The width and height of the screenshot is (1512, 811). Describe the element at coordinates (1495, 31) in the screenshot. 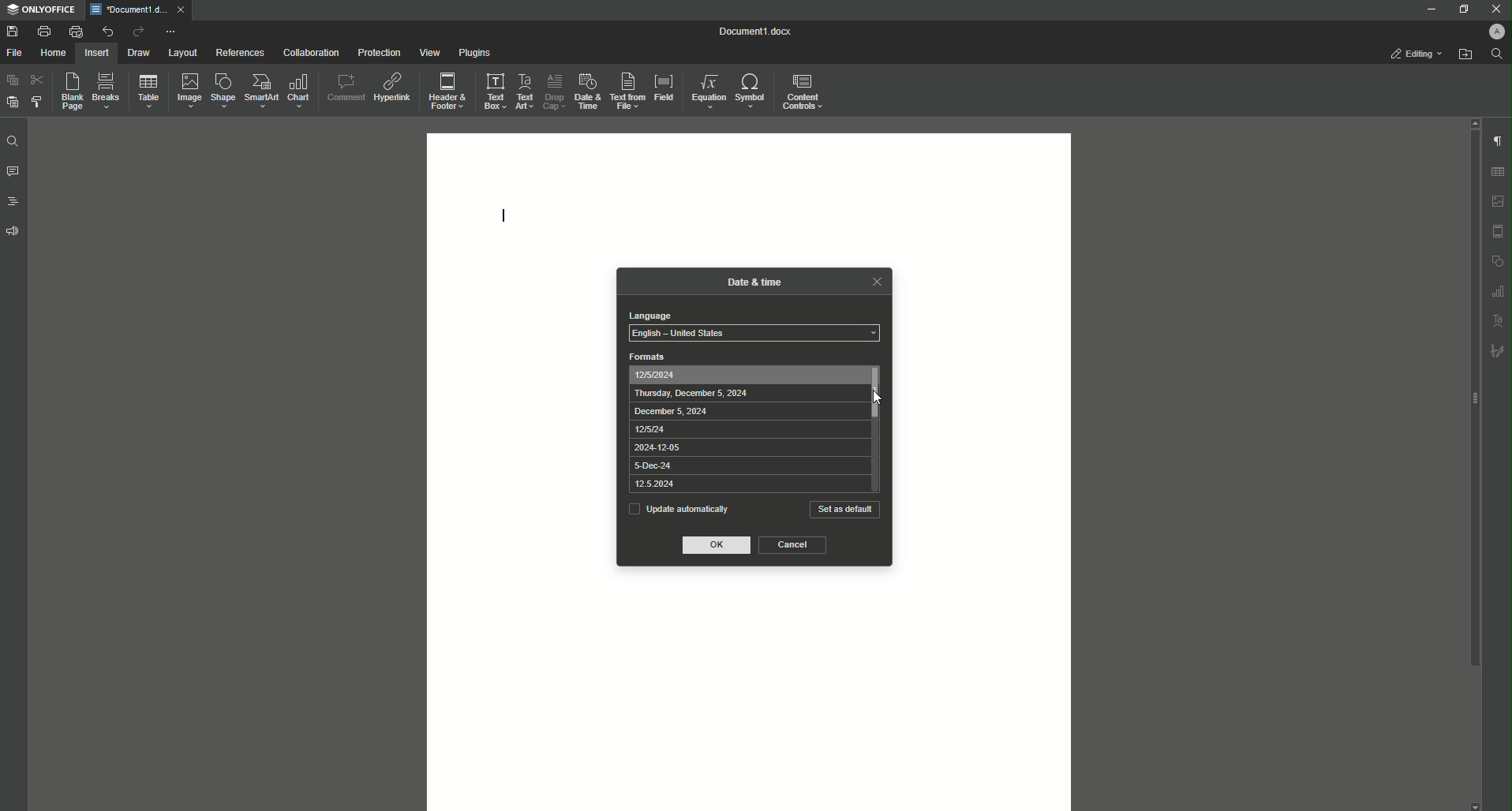

I see `Profile` at that location.